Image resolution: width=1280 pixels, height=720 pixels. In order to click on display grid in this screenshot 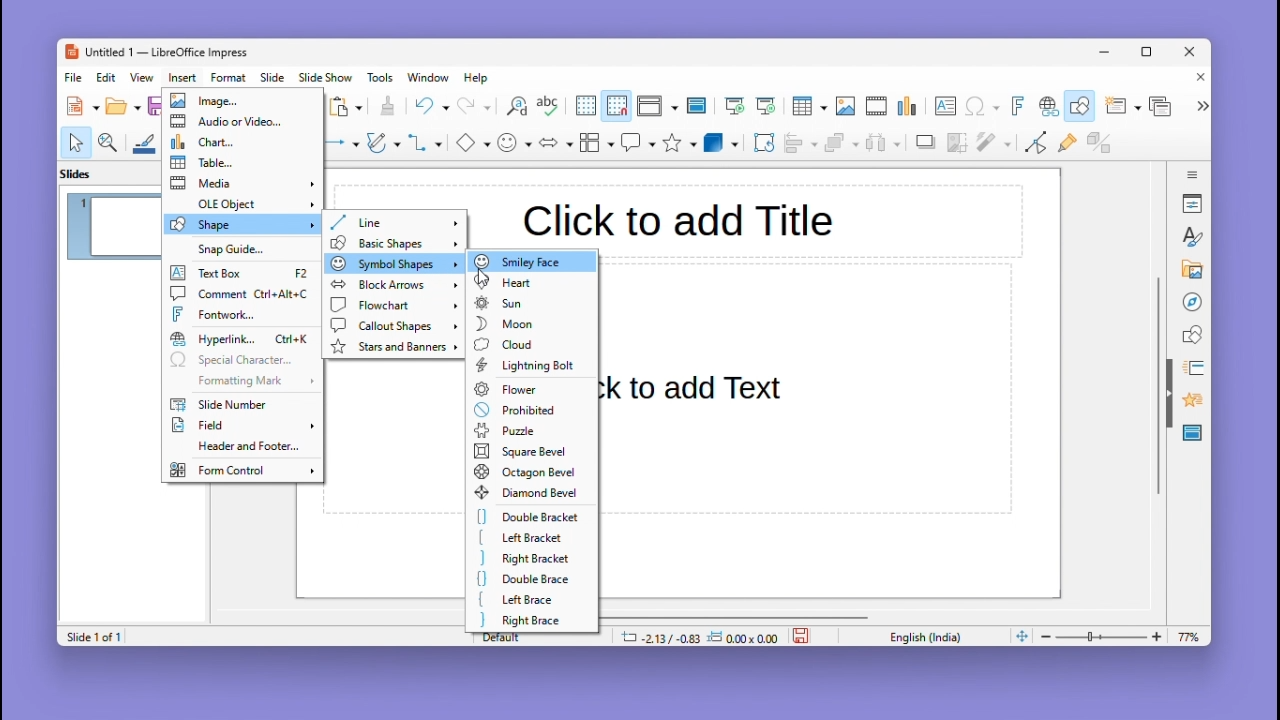, I will do `click(584, 107)`.